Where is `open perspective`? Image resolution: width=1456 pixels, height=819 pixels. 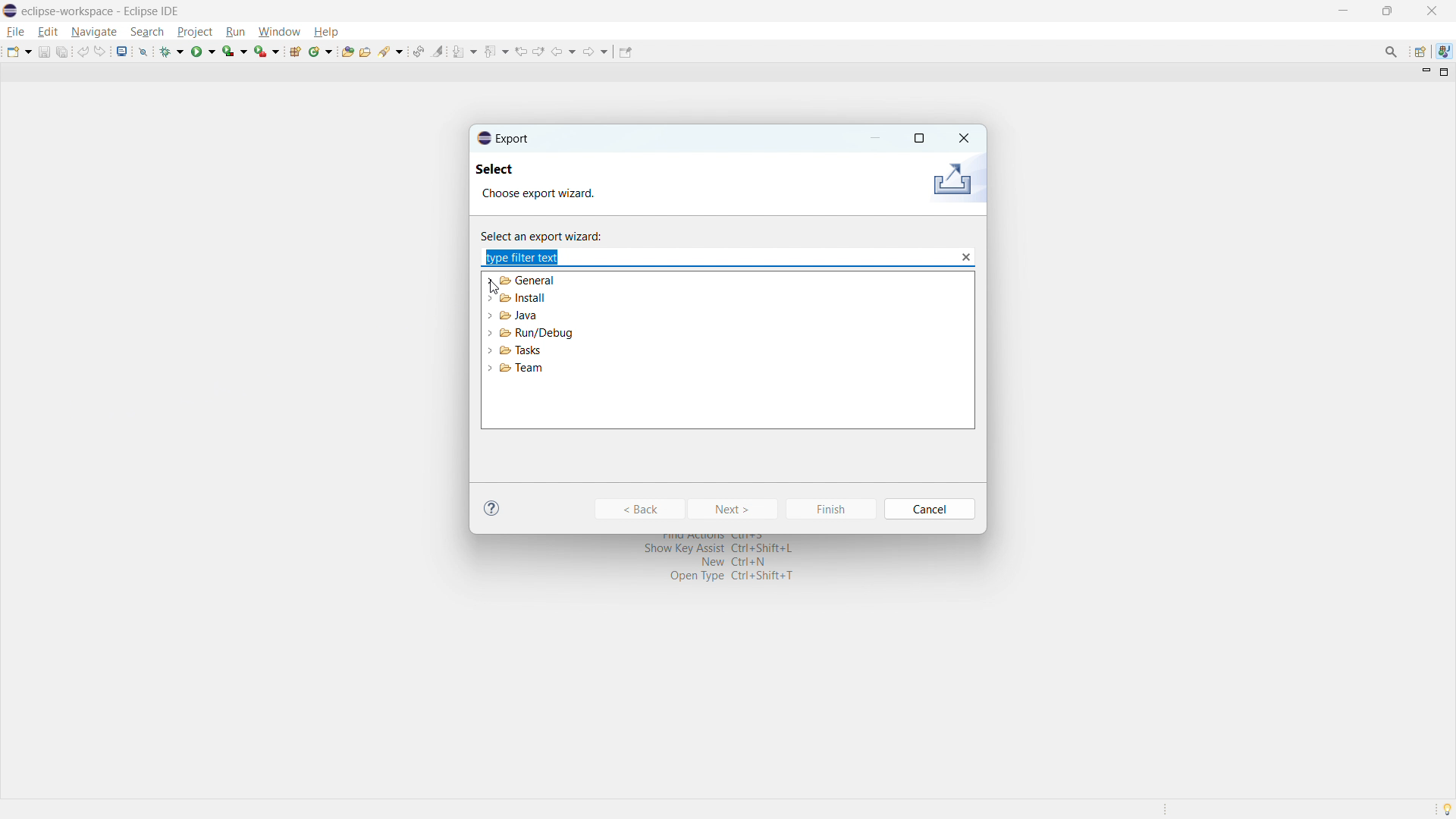 open perspective is located at coordinates (1419, 52).